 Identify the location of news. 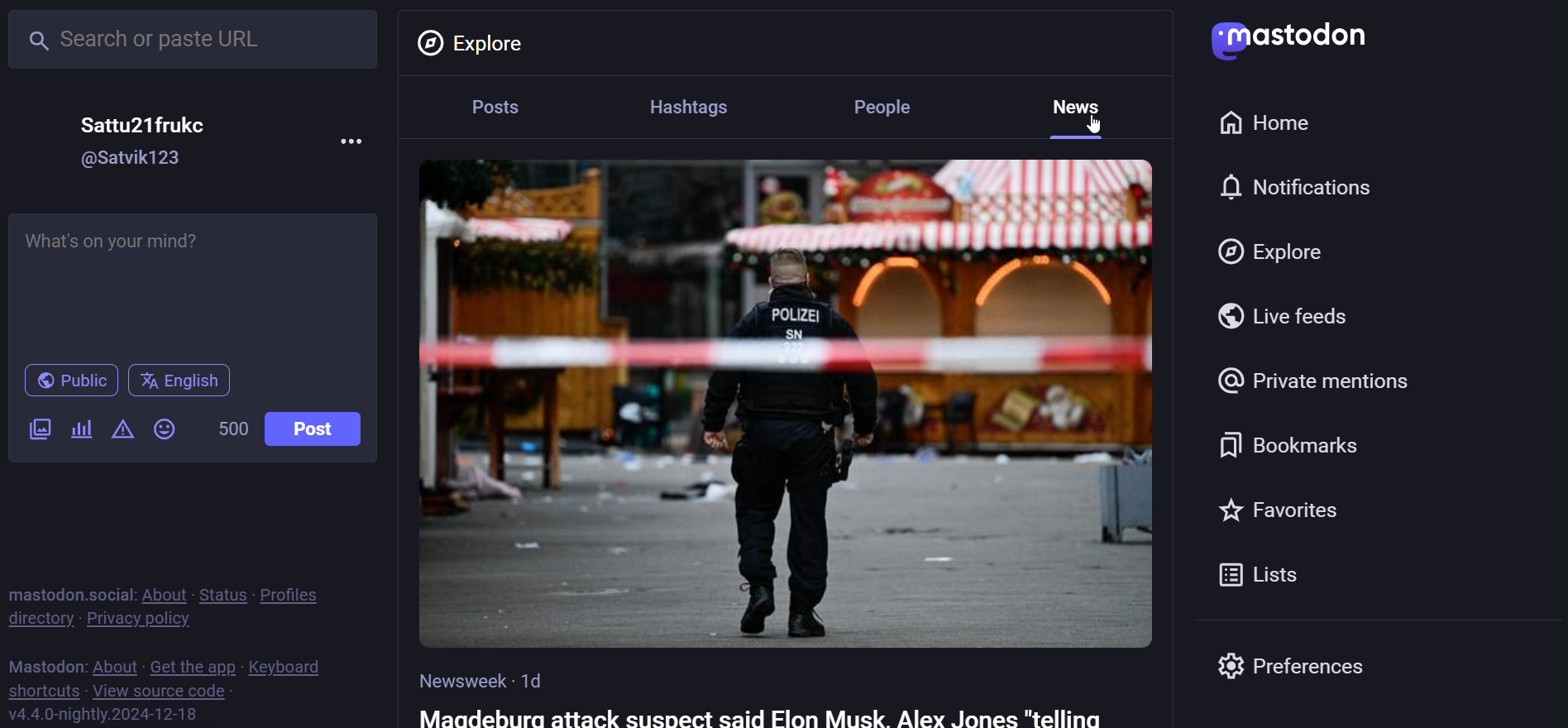
(1081, 105).